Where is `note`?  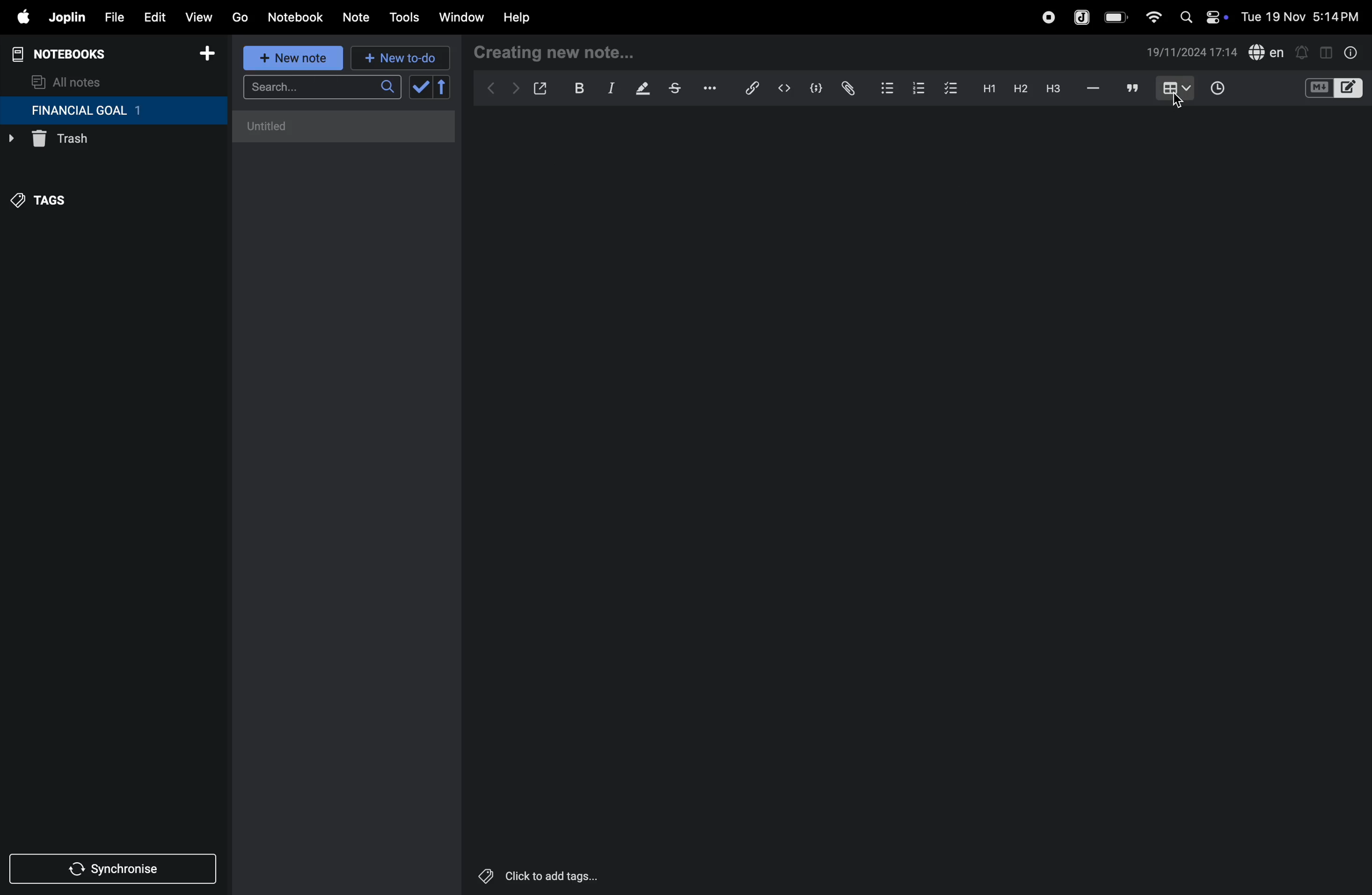 note is located at coordinates (358, 18).